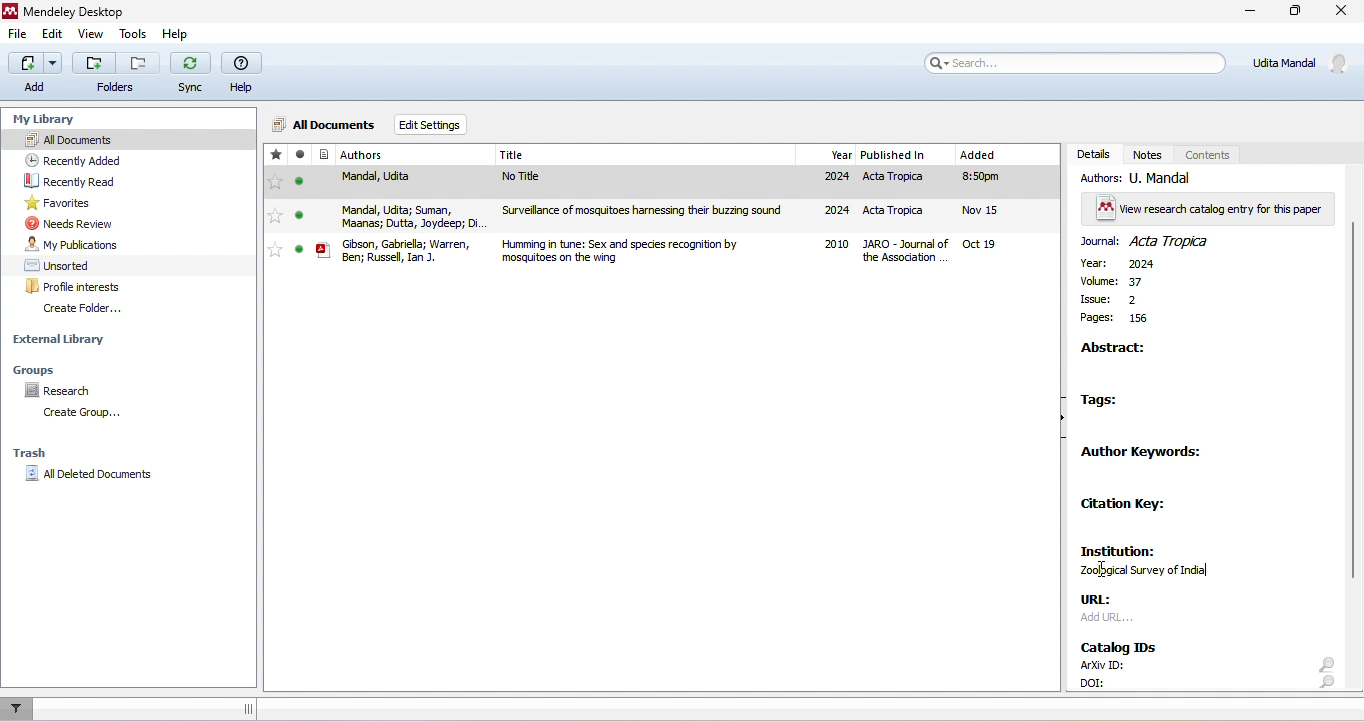 This screenshot has height=722, width=1364. What do you see at coordinates (116, 88) in the screenshot?
I see `folders` at bounding box center [116, 88].